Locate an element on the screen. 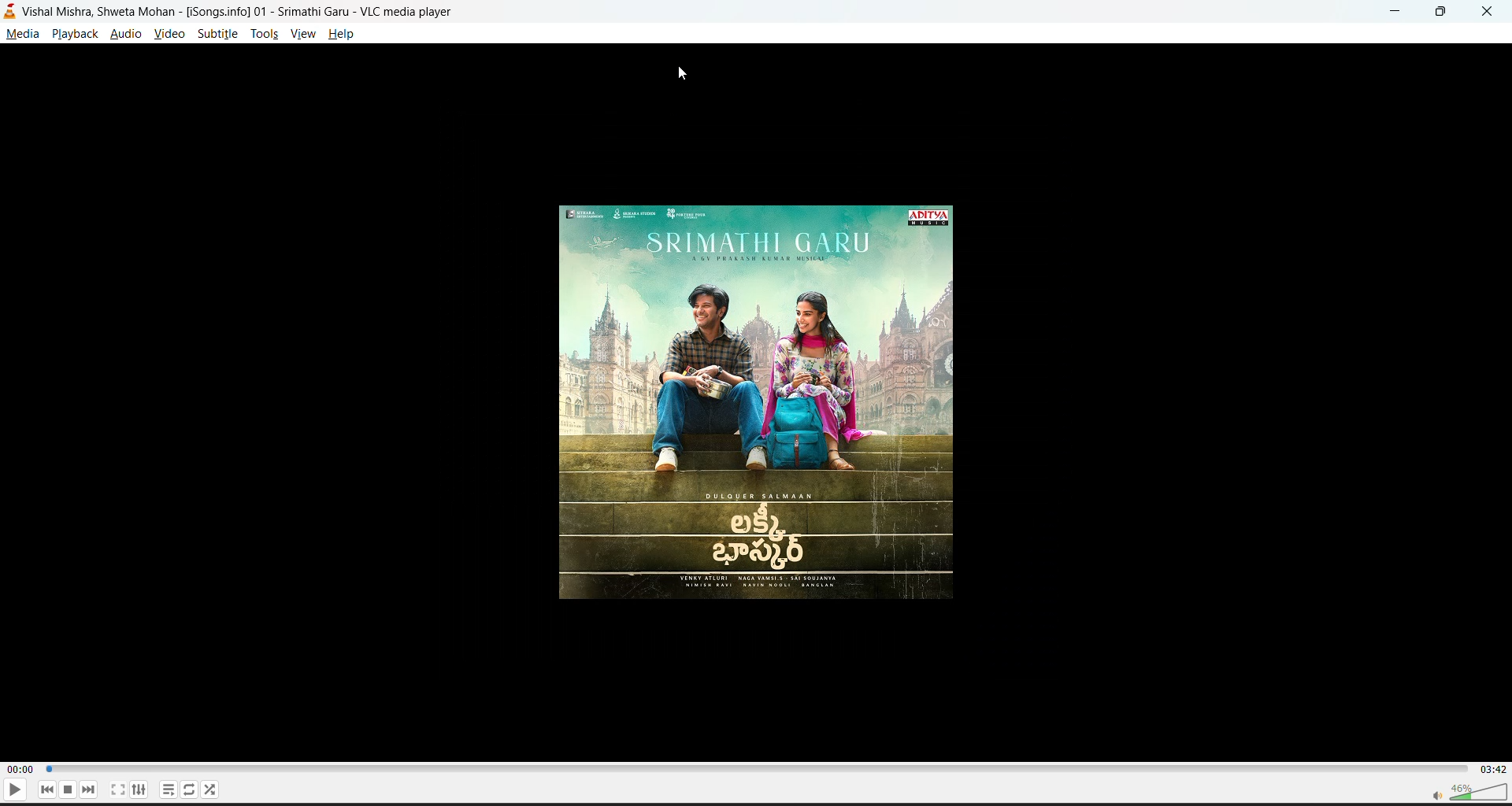  03:42 is located at coordinates (1492, 767).